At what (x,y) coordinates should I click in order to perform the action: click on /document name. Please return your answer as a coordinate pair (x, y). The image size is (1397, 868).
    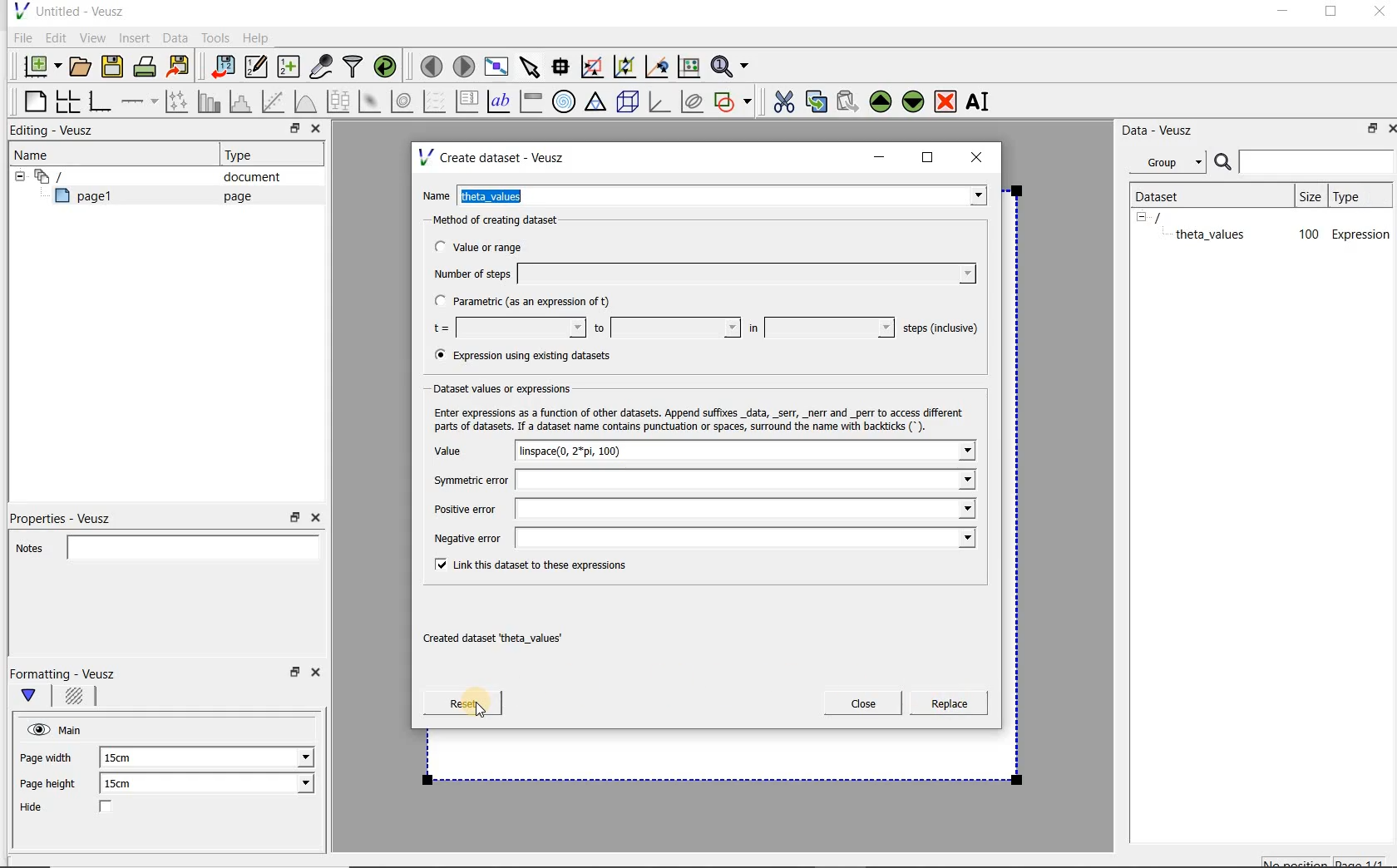
    Looking at the image, I should click on (1172, 216).